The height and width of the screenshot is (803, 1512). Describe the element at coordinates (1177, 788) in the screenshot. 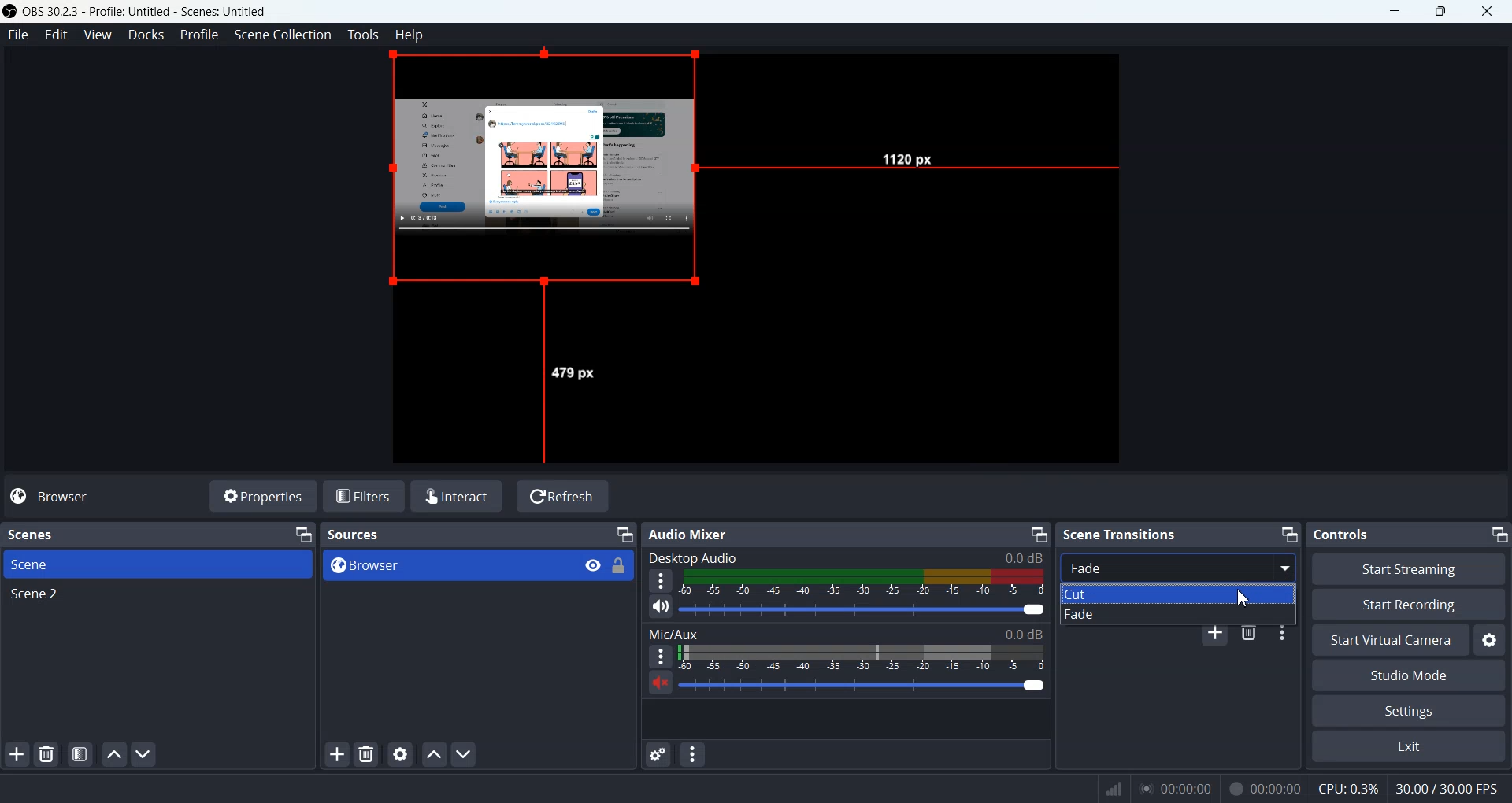

I see `` at that location.